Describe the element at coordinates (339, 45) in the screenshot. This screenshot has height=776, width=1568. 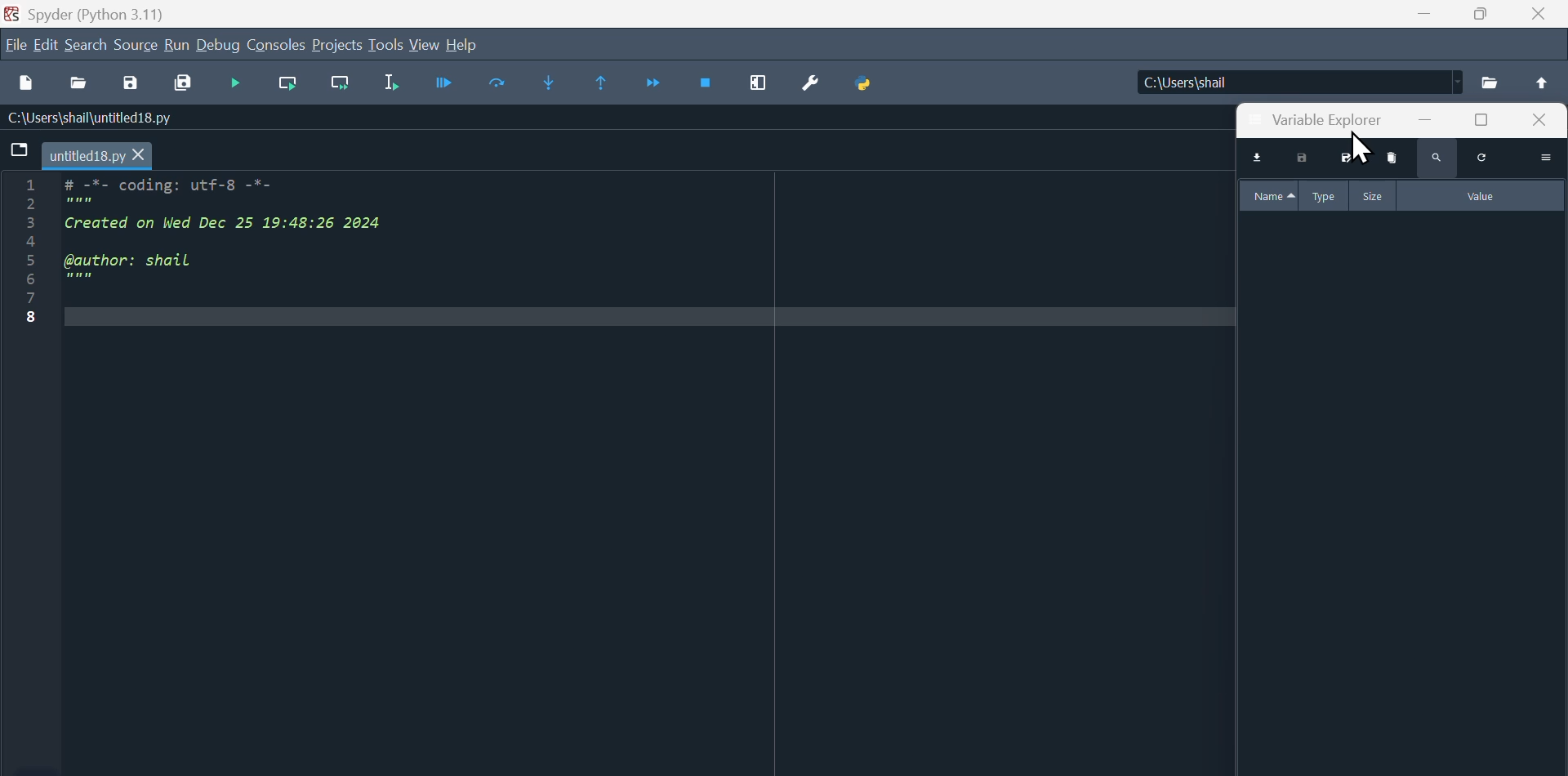
I see `Projects` at that location.